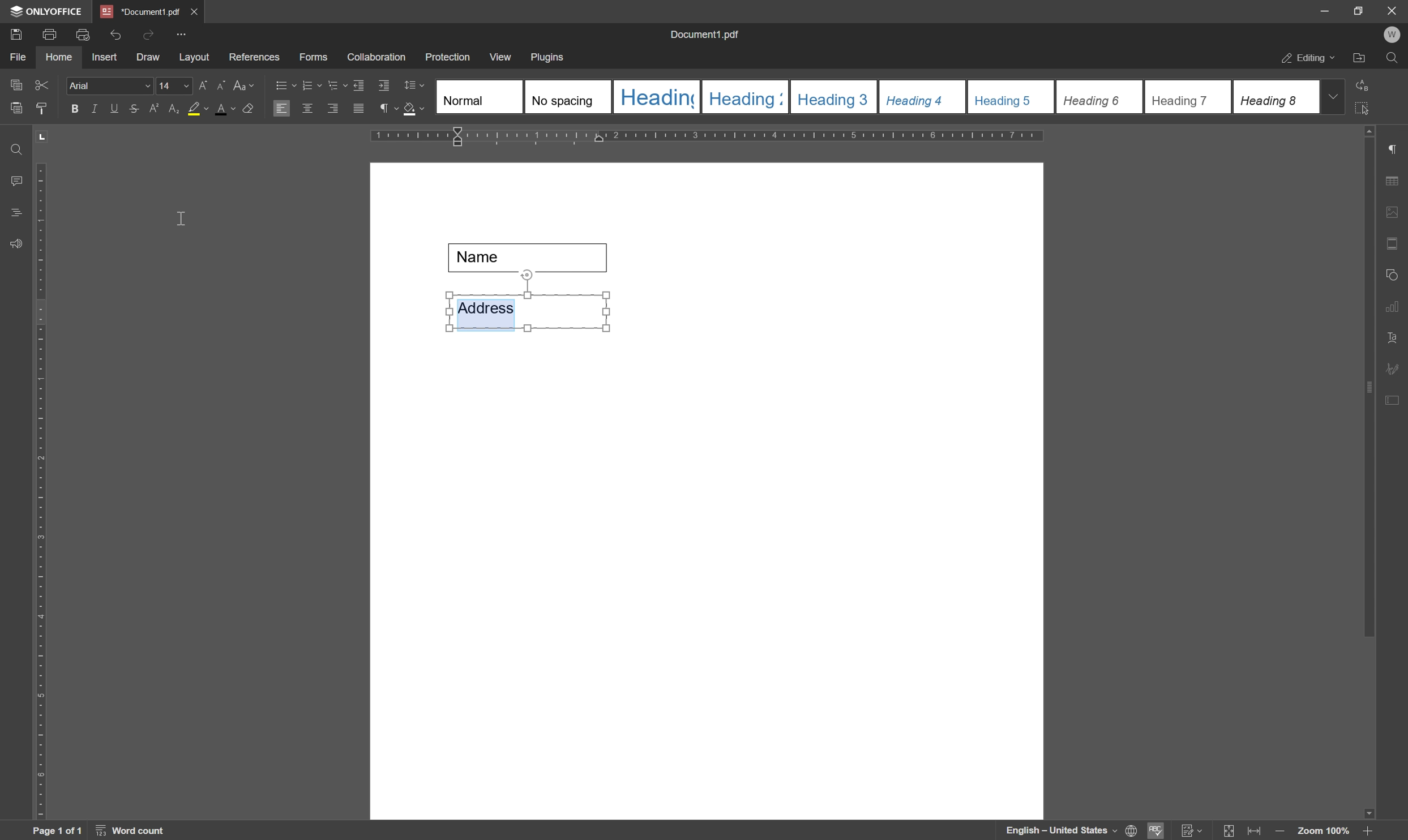 The height and width of the screenshot is (840, 1408). I want to click on spell checking, so click(1157, 830).